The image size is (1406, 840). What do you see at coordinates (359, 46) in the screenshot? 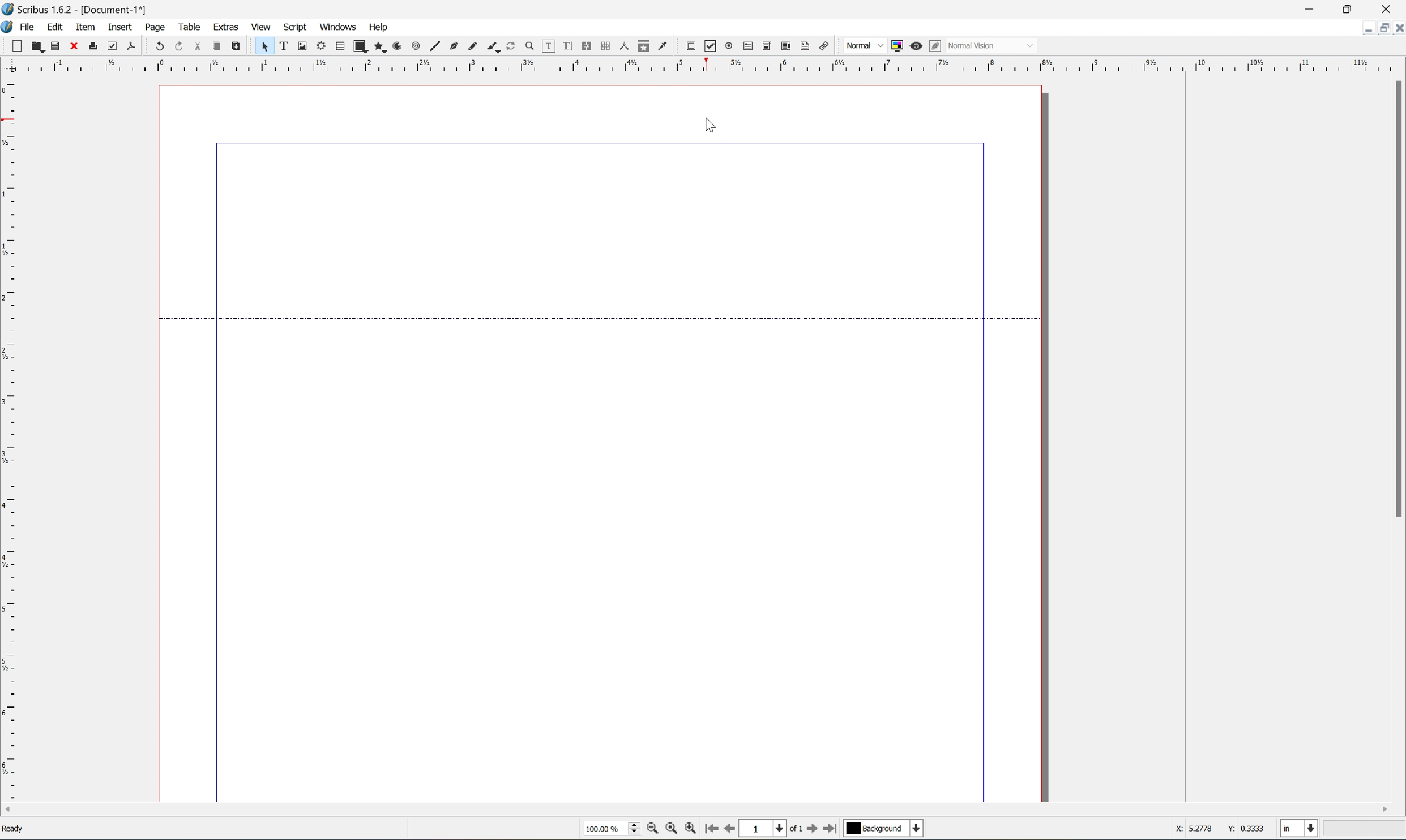
I see `shape` at bounding box center [359, 46].